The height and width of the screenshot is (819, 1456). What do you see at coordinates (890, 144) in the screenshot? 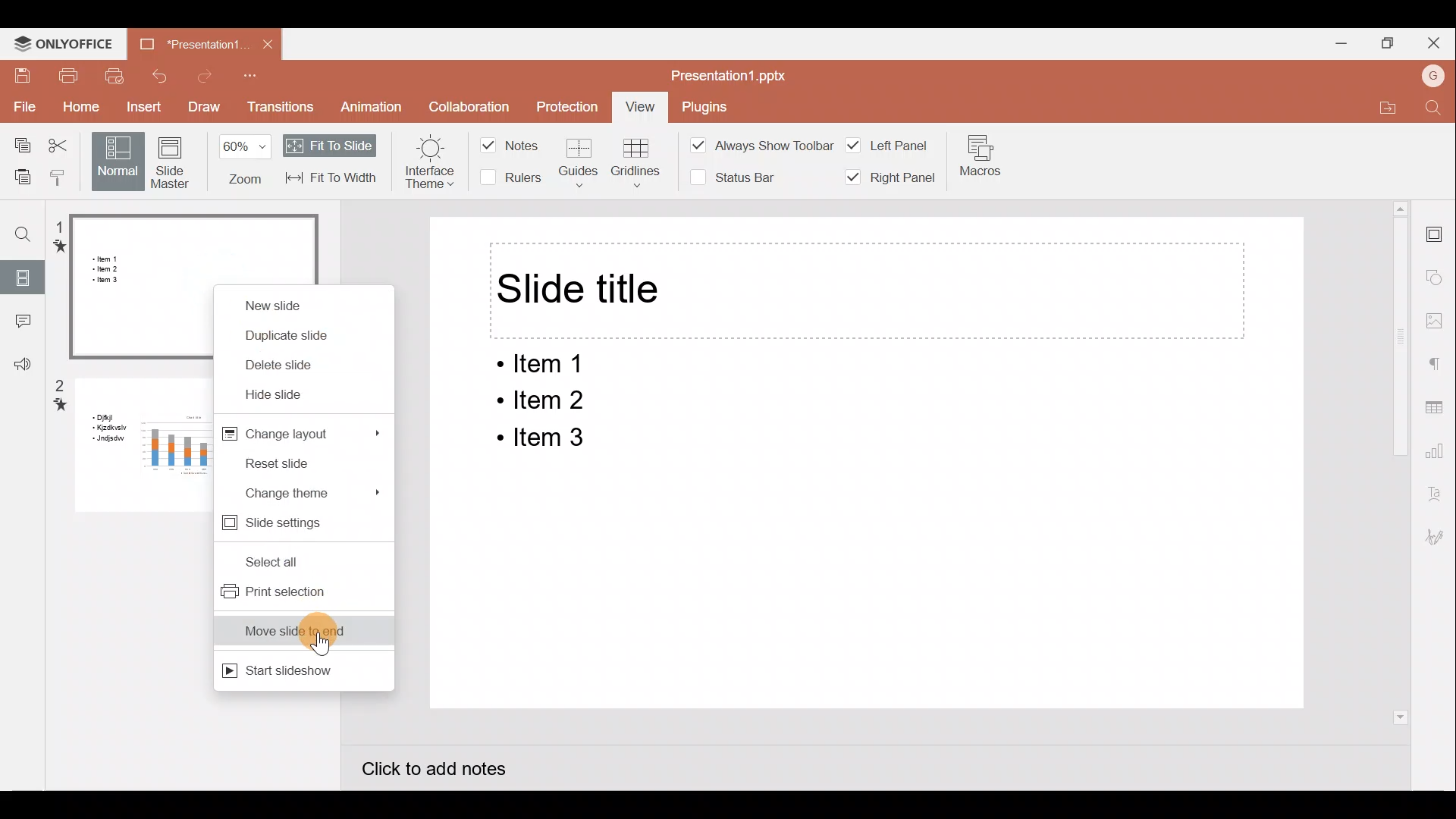
I see `Left panel` at bounding box center [890, 144].